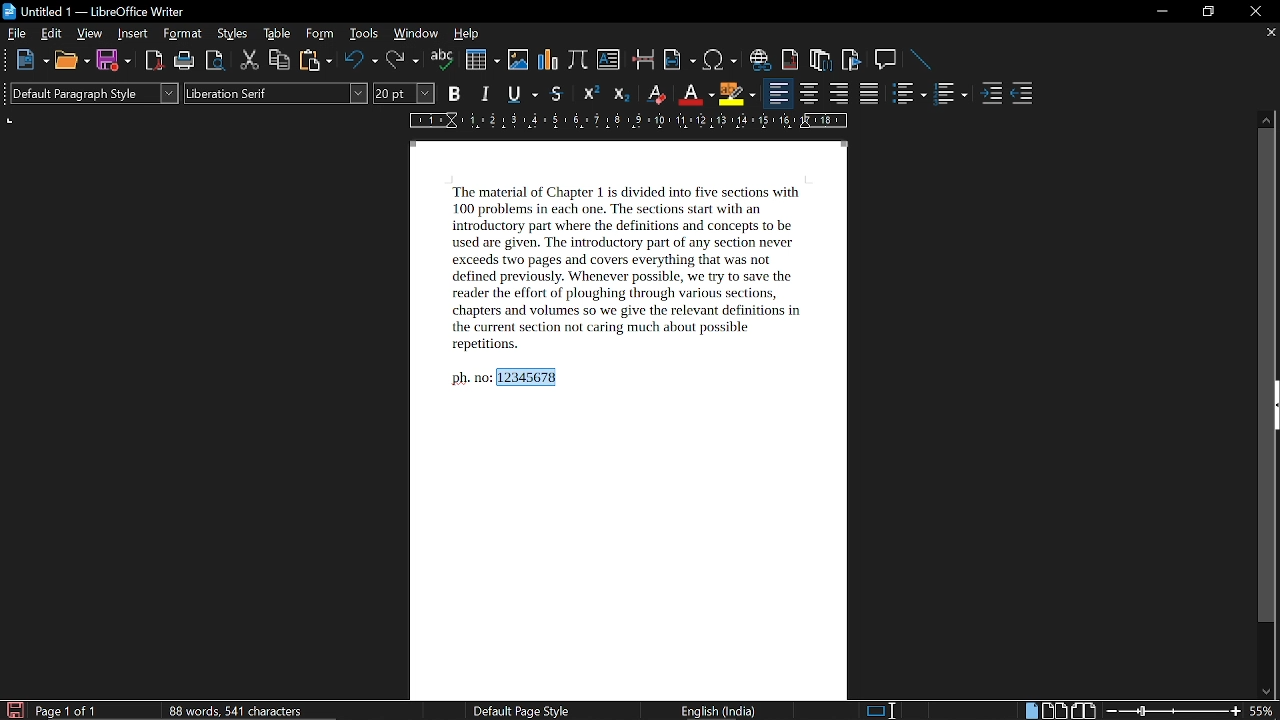 This screenshot has height=720, width=1280. Describe the element at coordinates (522, 711) in the screenshot. I see `default page style` at that location.